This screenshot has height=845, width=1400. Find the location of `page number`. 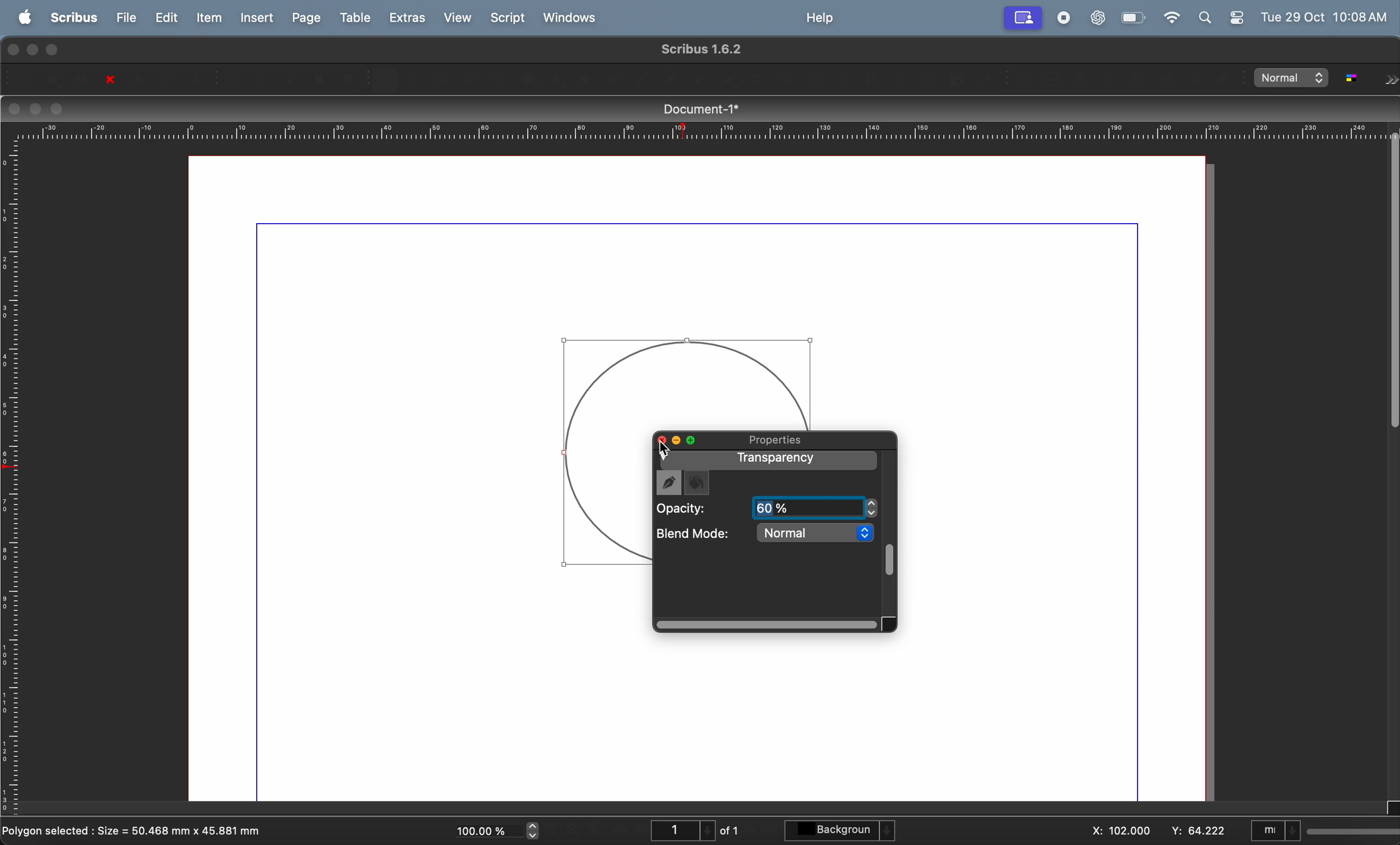

page number is located at coordinates (694, 830).